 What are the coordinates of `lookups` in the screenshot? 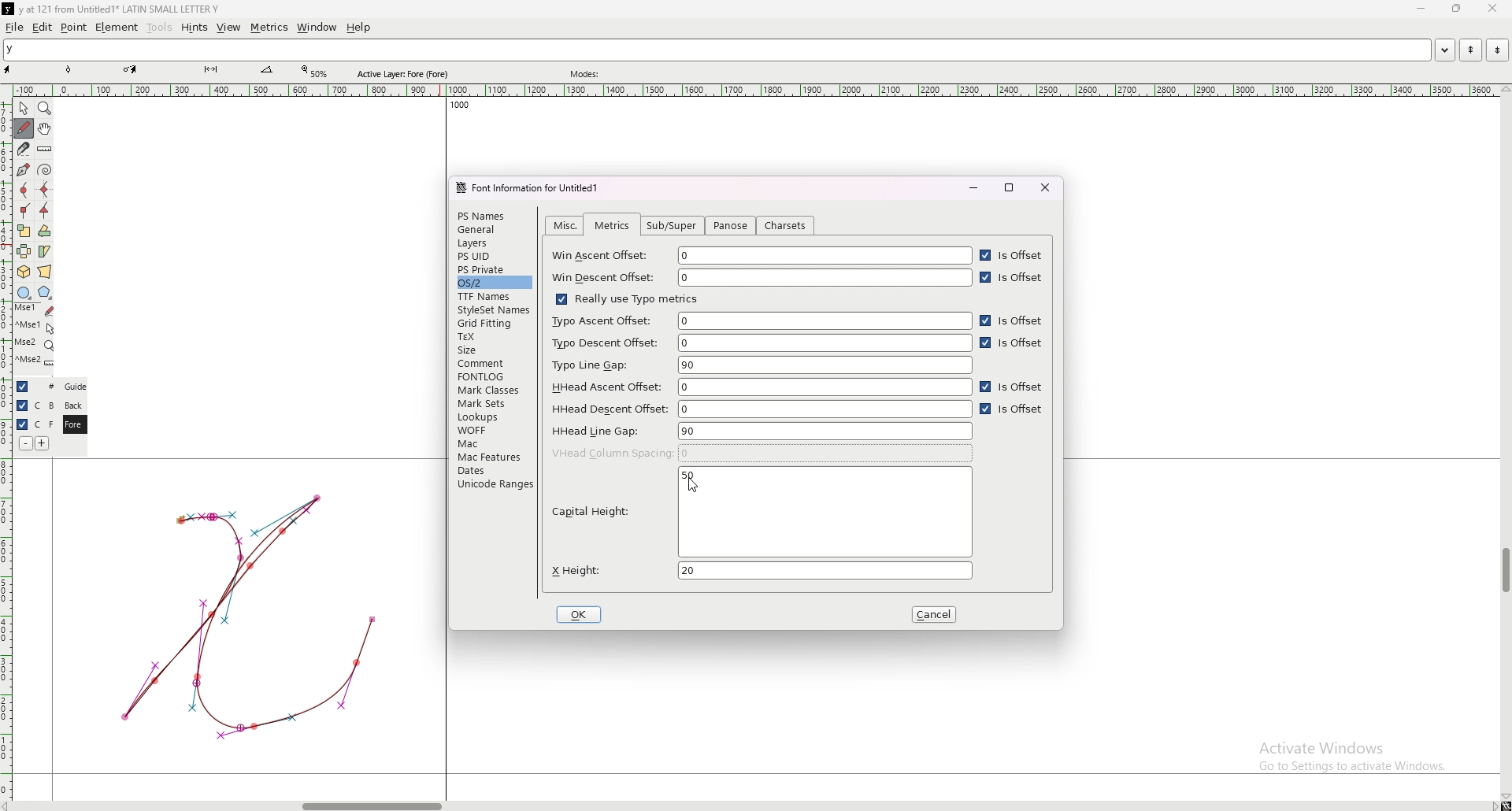 It's located at (491, 417).